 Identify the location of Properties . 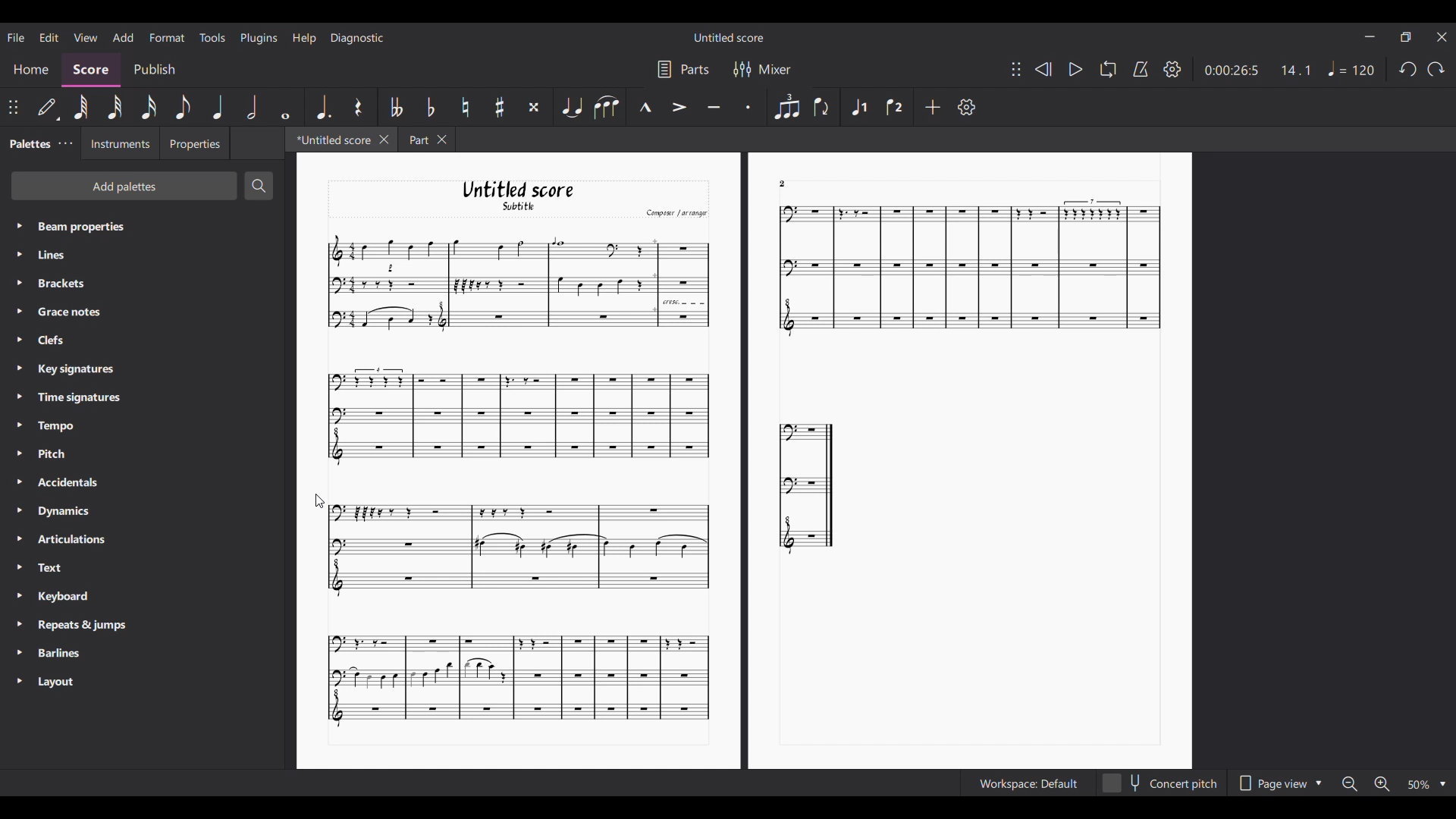
(194, 143).